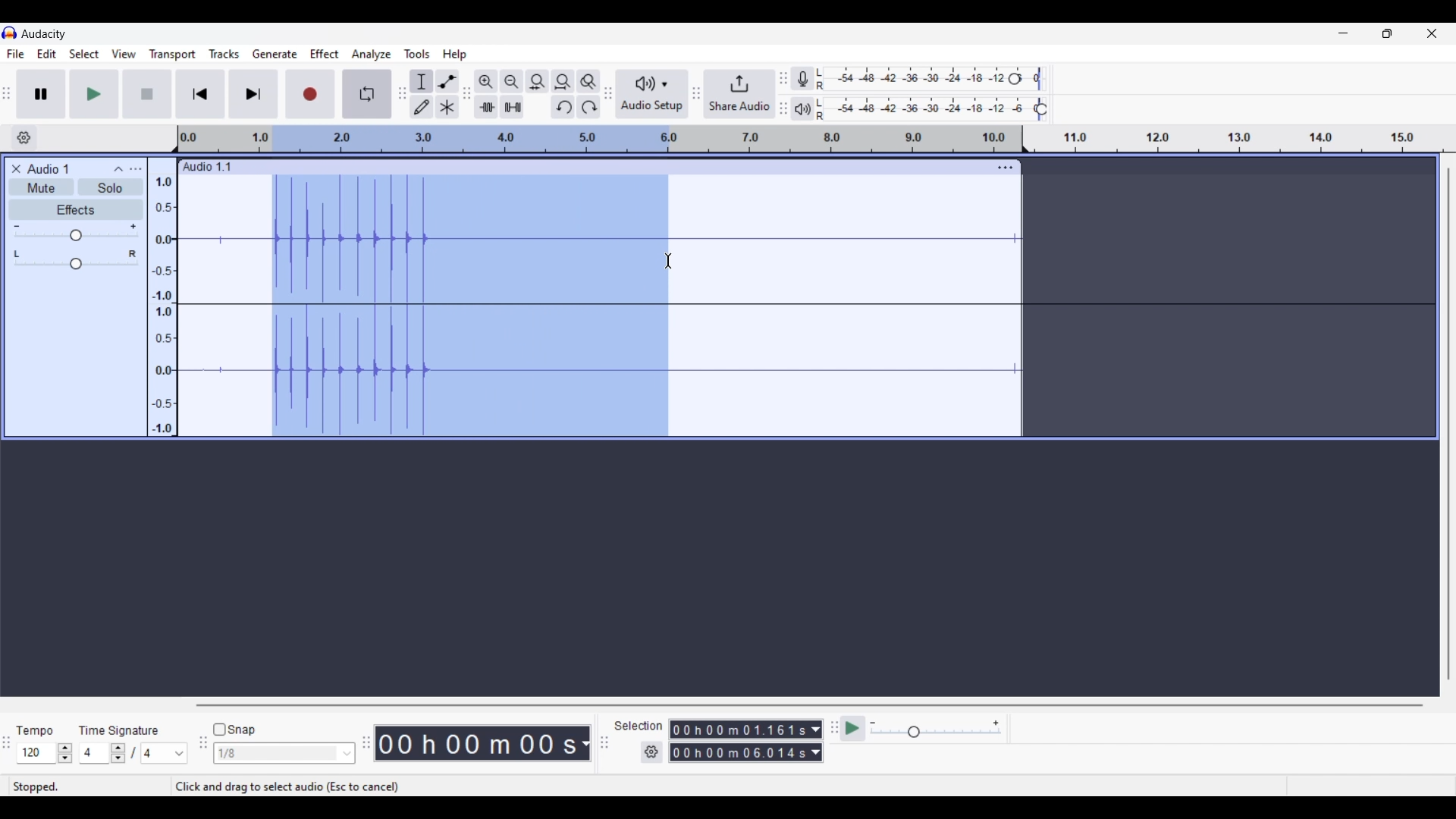  What do you see at coordinates (277, 754) in the screenshot?
I see `Type in snap` at bounding box center [277, 754].